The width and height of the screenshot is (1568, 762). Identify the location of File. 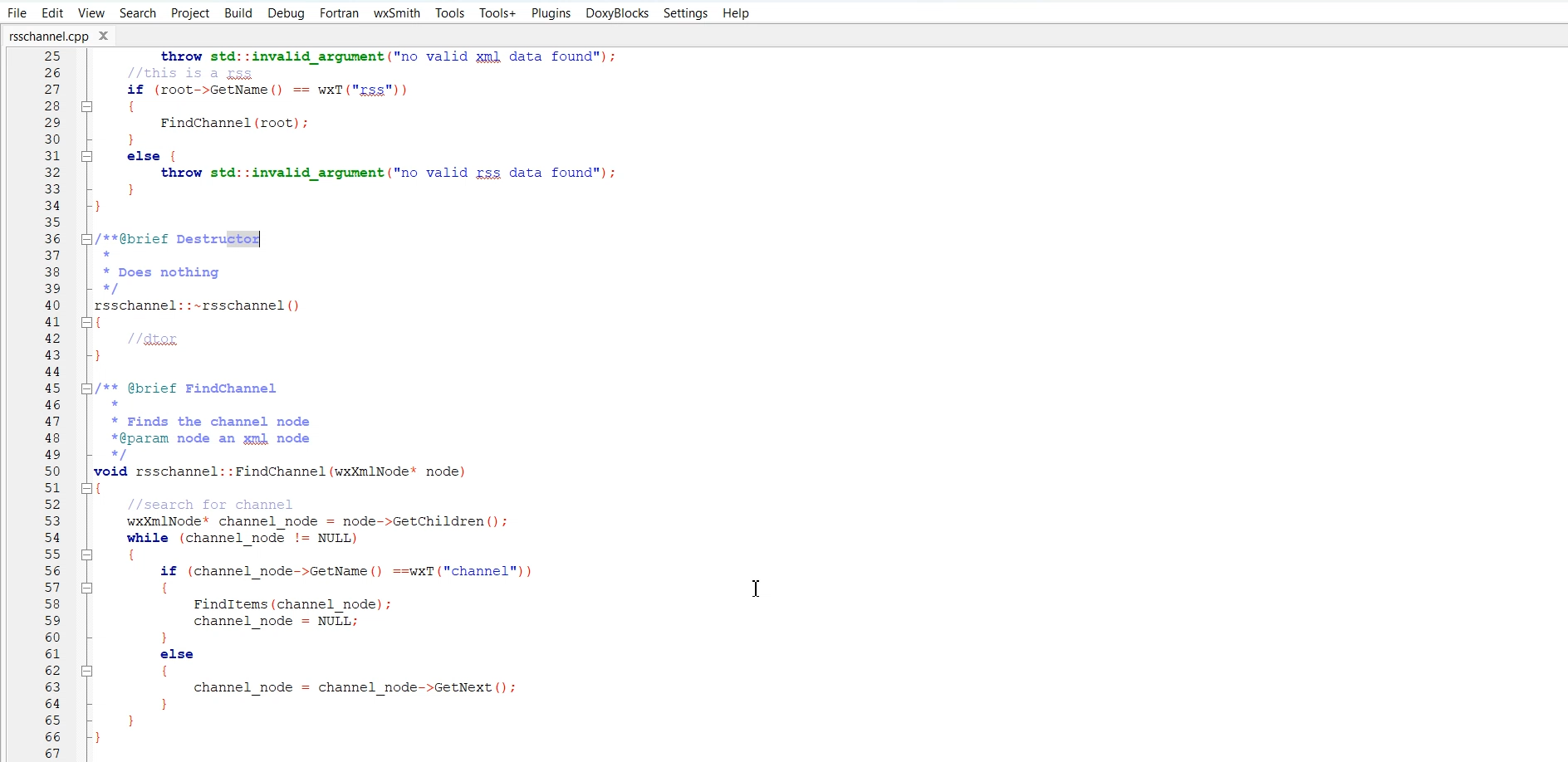
(17, 12).